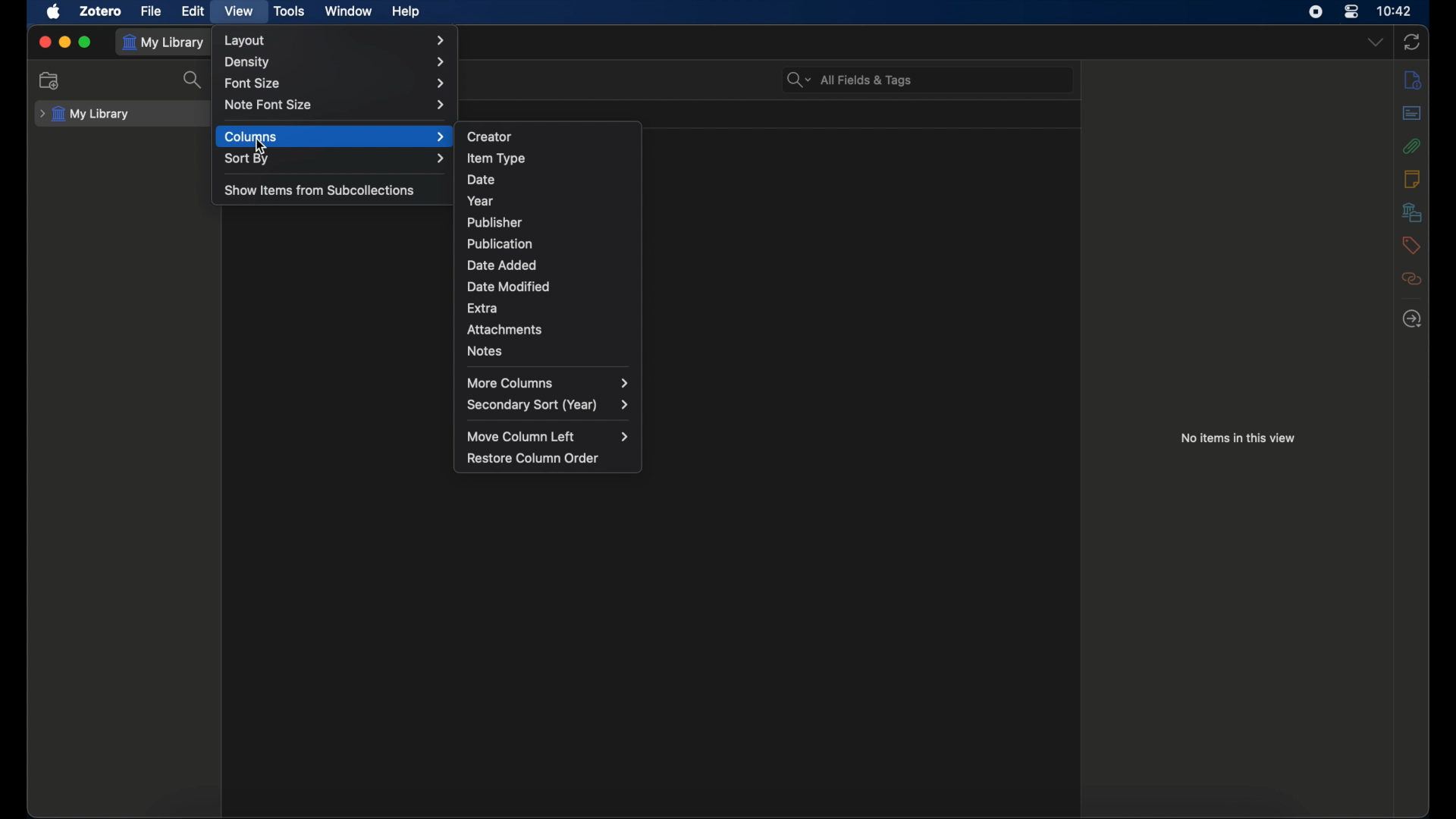 The image size is (1456, 819). I want to click on move column left, so click(548, 436).